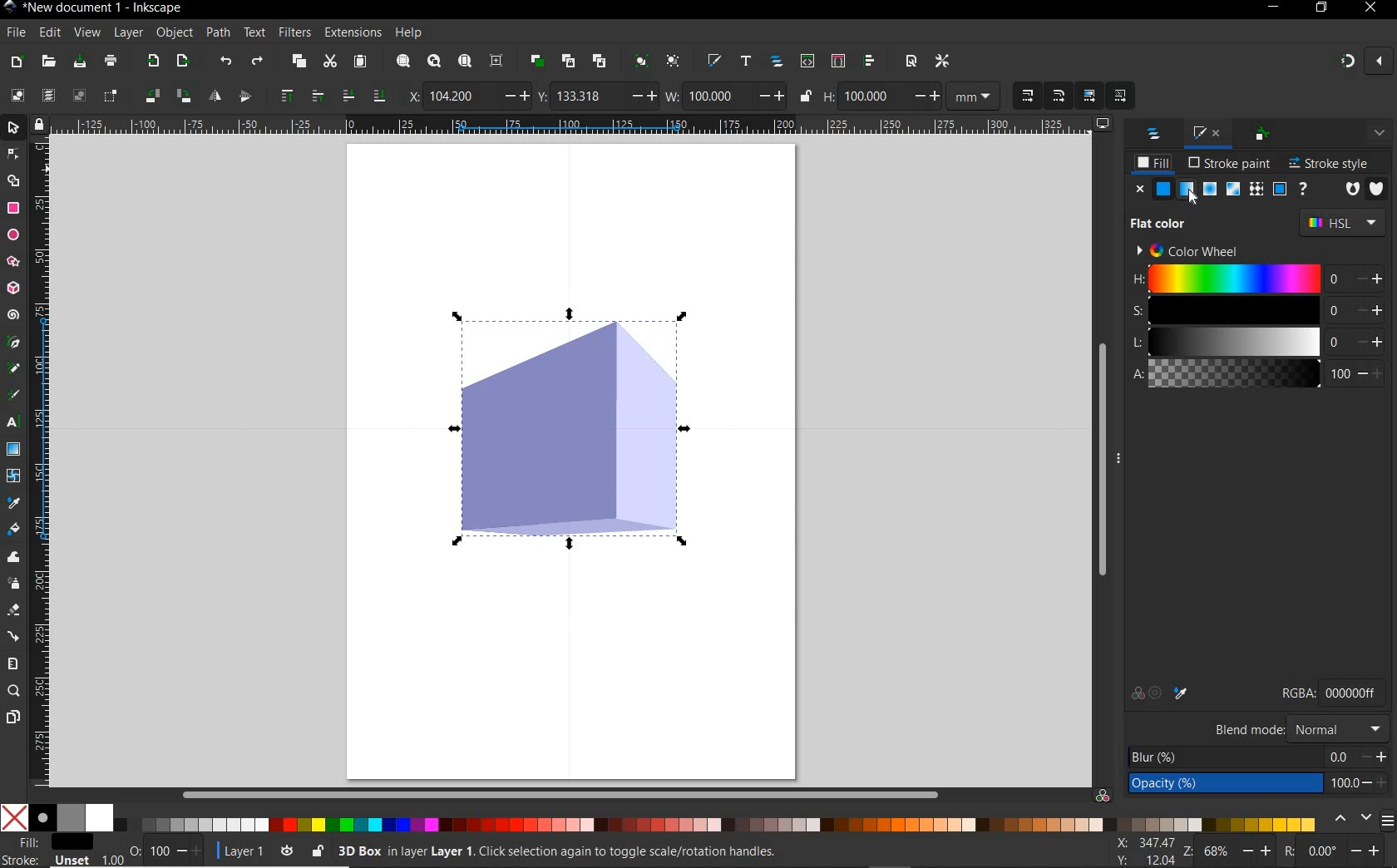  Describe the element at coordinates (1369, 12) in the screenshot. I see `CLOSE` at that location.